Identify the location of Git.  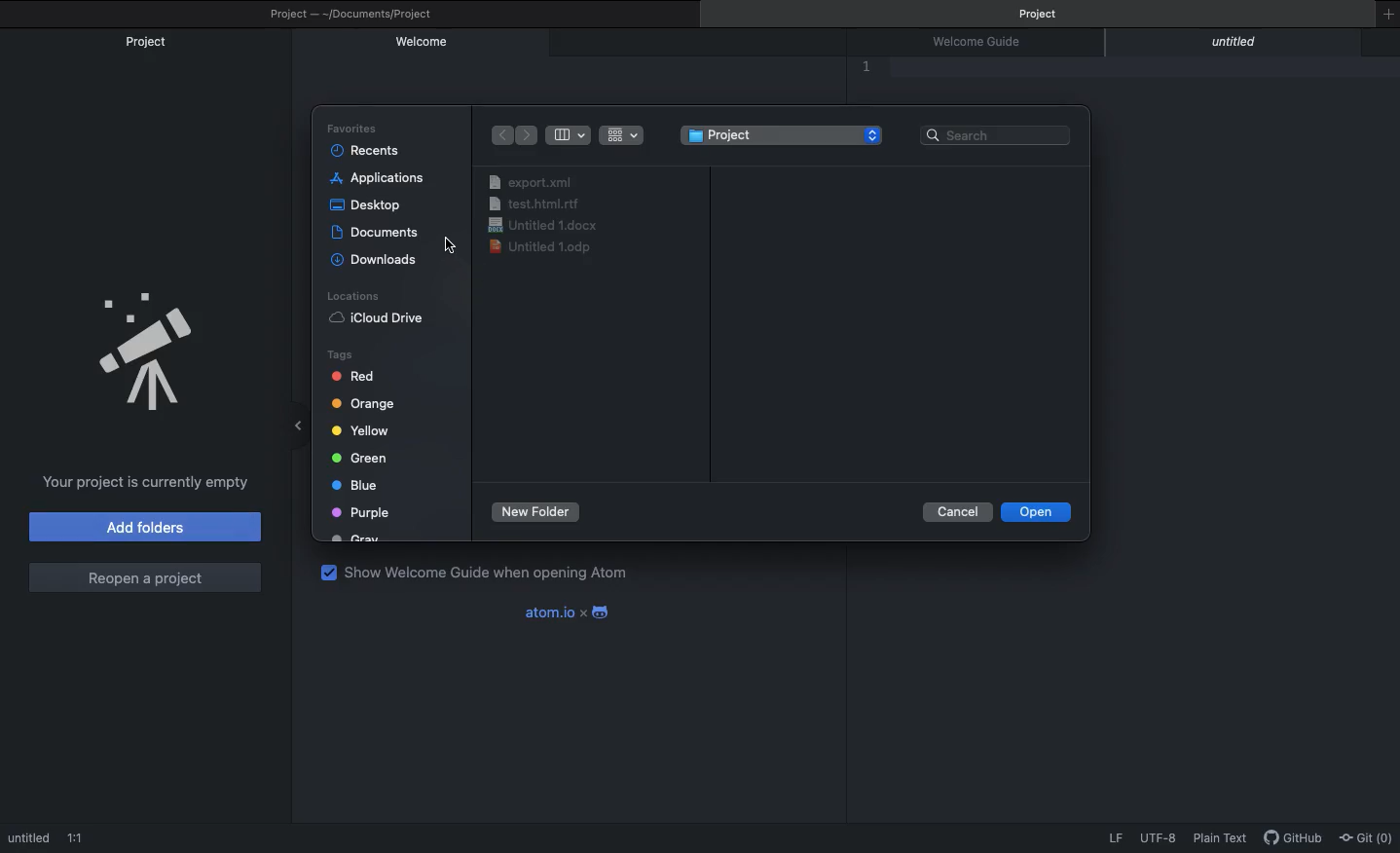
(1369, 836).